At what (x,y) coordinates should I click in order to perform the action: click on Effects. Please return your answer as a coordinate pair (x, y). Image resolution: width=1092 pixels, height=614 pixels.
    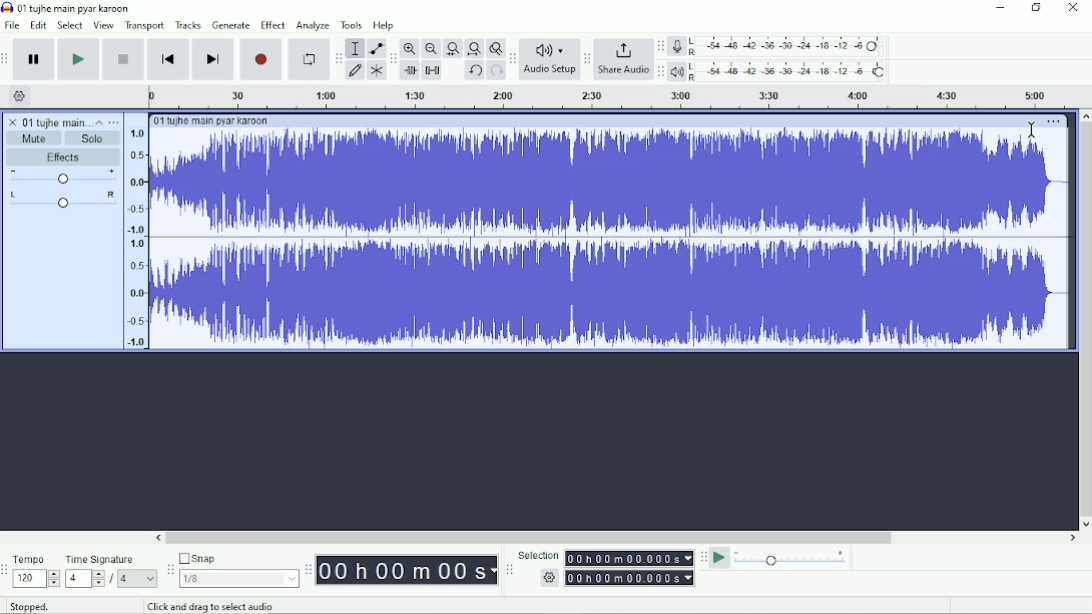
    Looking at the image, I should click on (63, 157).